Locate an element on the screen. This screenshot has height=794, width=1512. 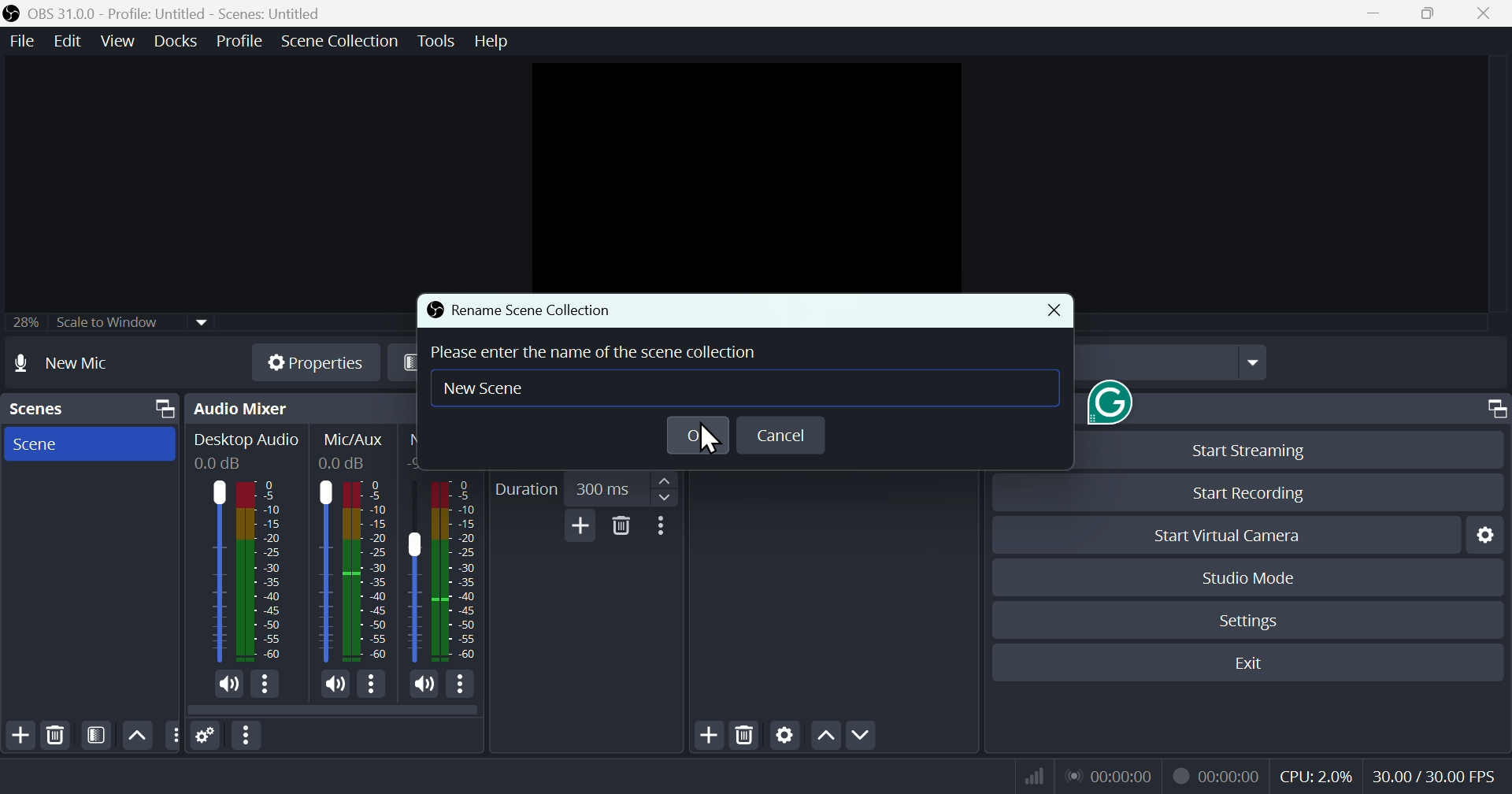
OBS 31 .0 .0 profile: untitled scenes: untitled is located at coordinates (198, 12).